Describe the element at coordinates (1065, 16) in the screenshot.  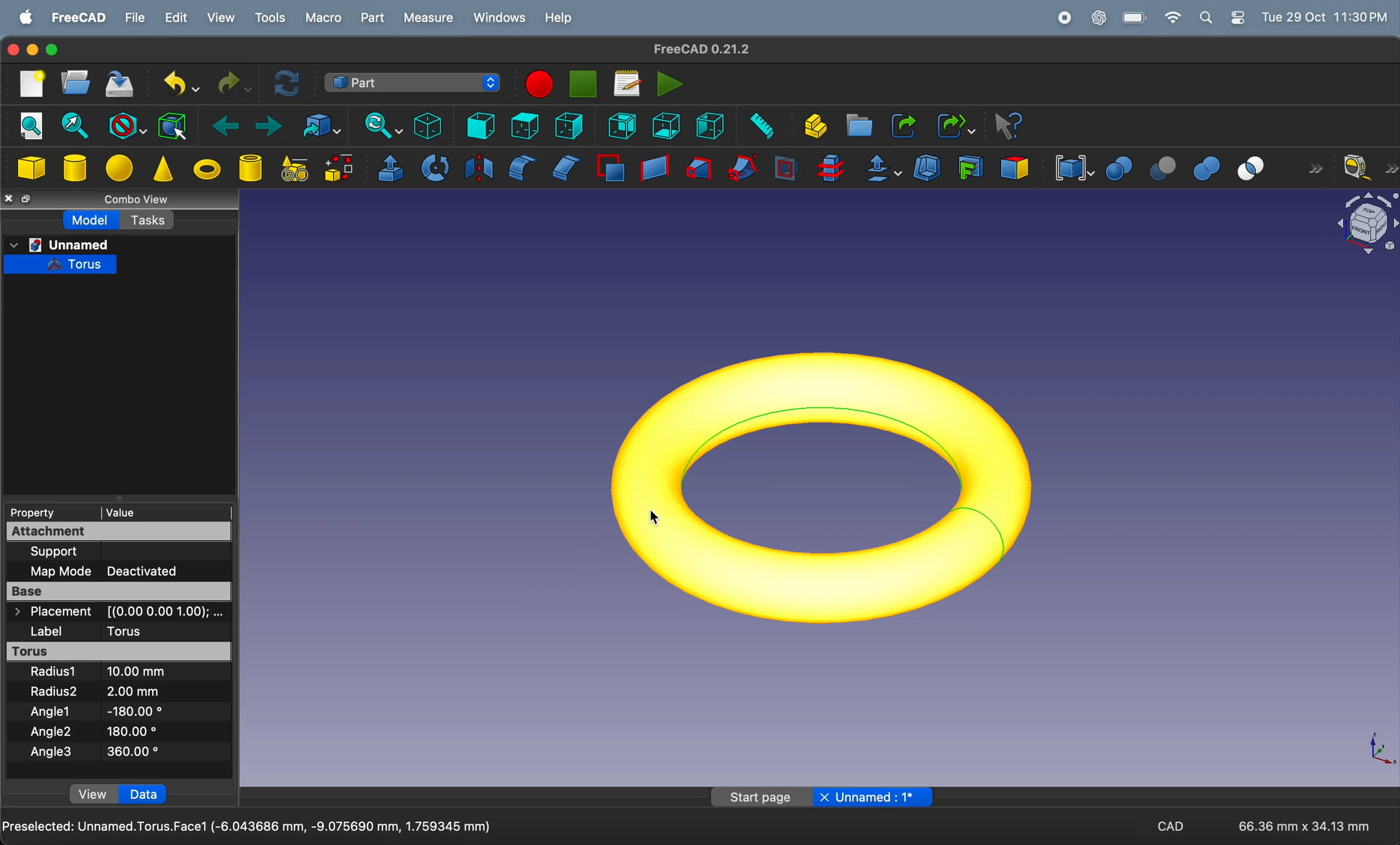
I see `record` at that location.